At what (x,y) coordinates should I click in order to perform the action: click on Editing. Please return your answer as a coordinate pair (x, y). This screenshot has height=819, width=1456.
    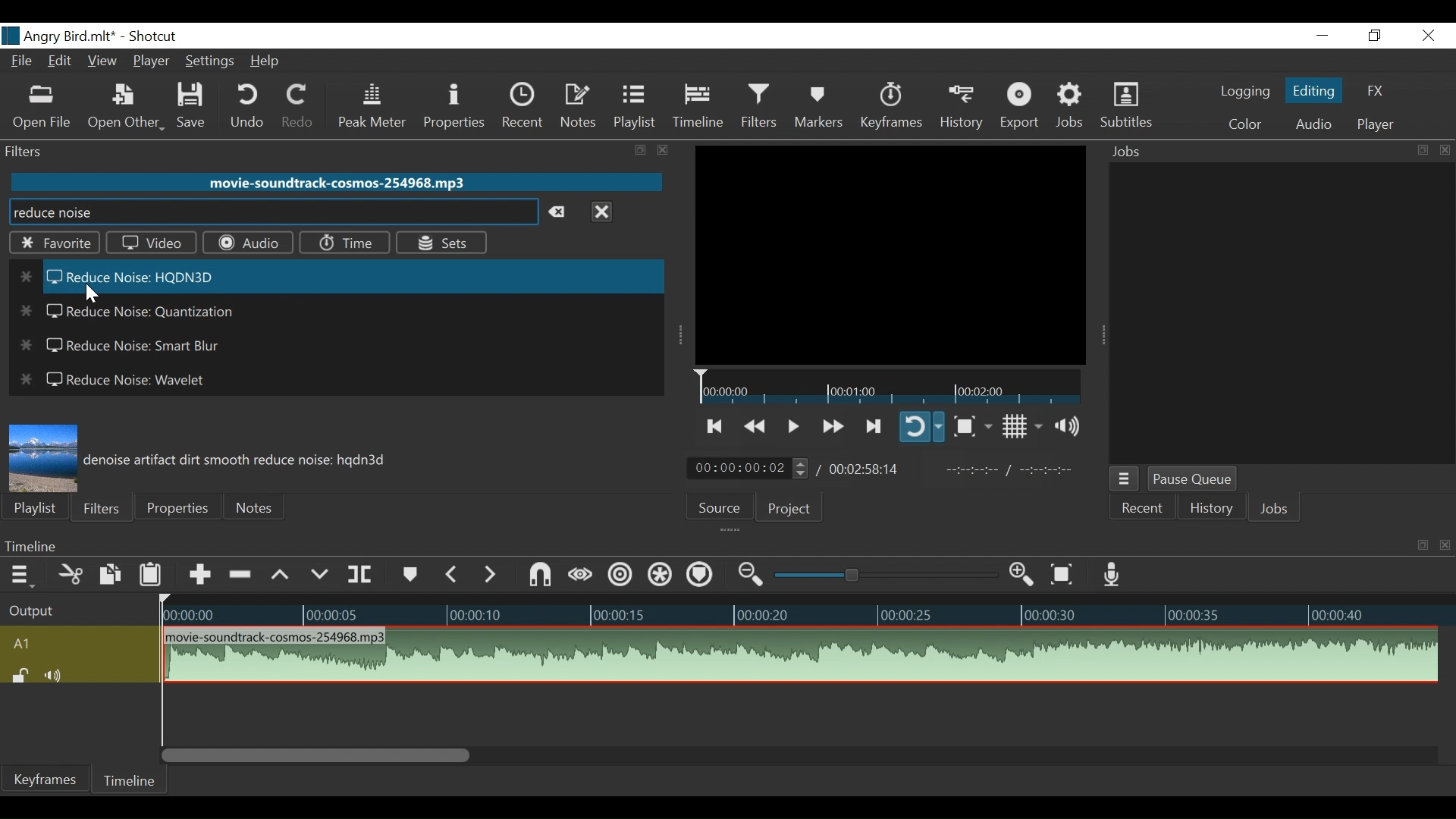
    Looking at the image, I should click on (1314, 88).